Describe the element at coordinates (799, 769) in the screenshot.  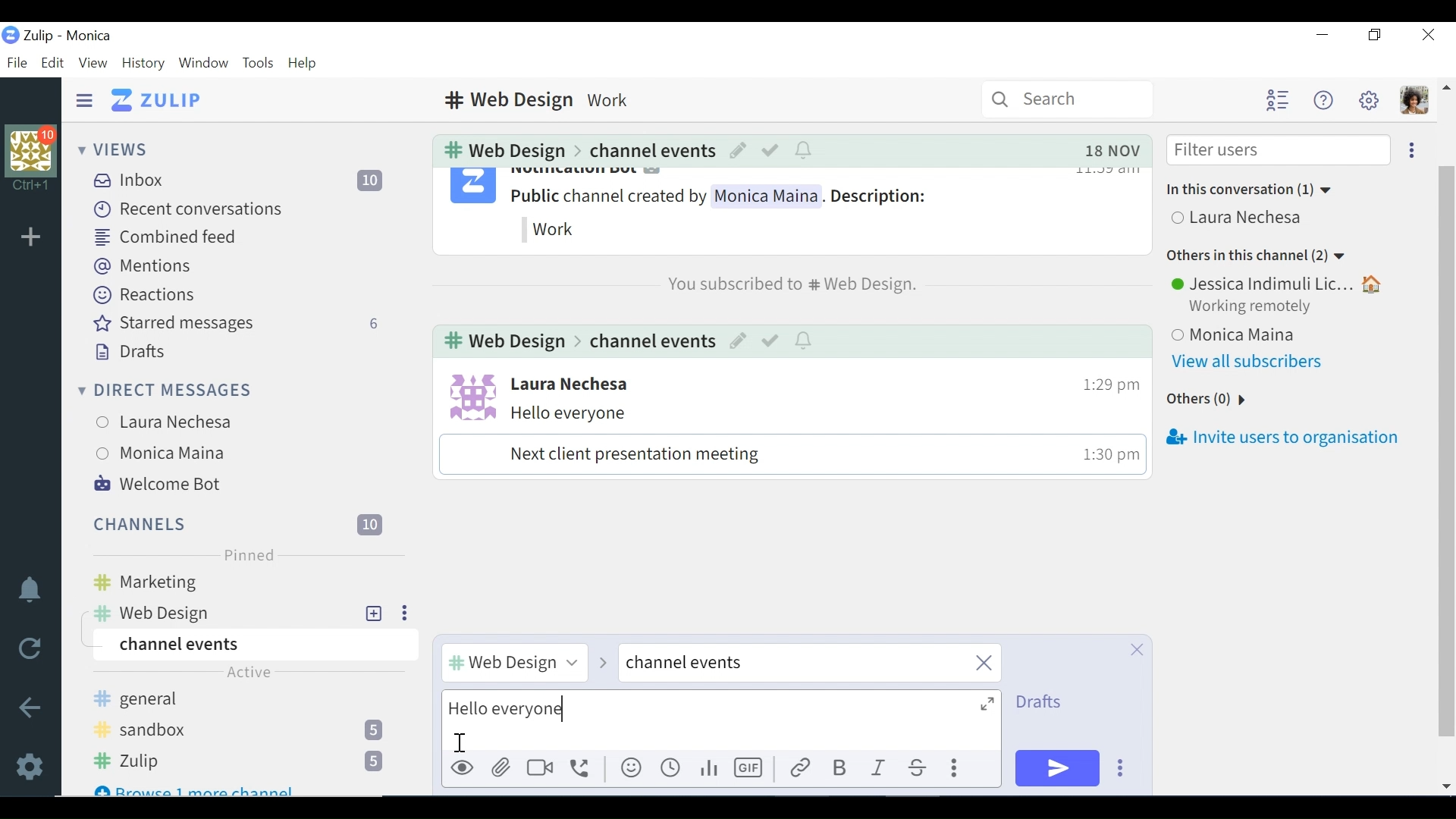
I see `link` at that location.